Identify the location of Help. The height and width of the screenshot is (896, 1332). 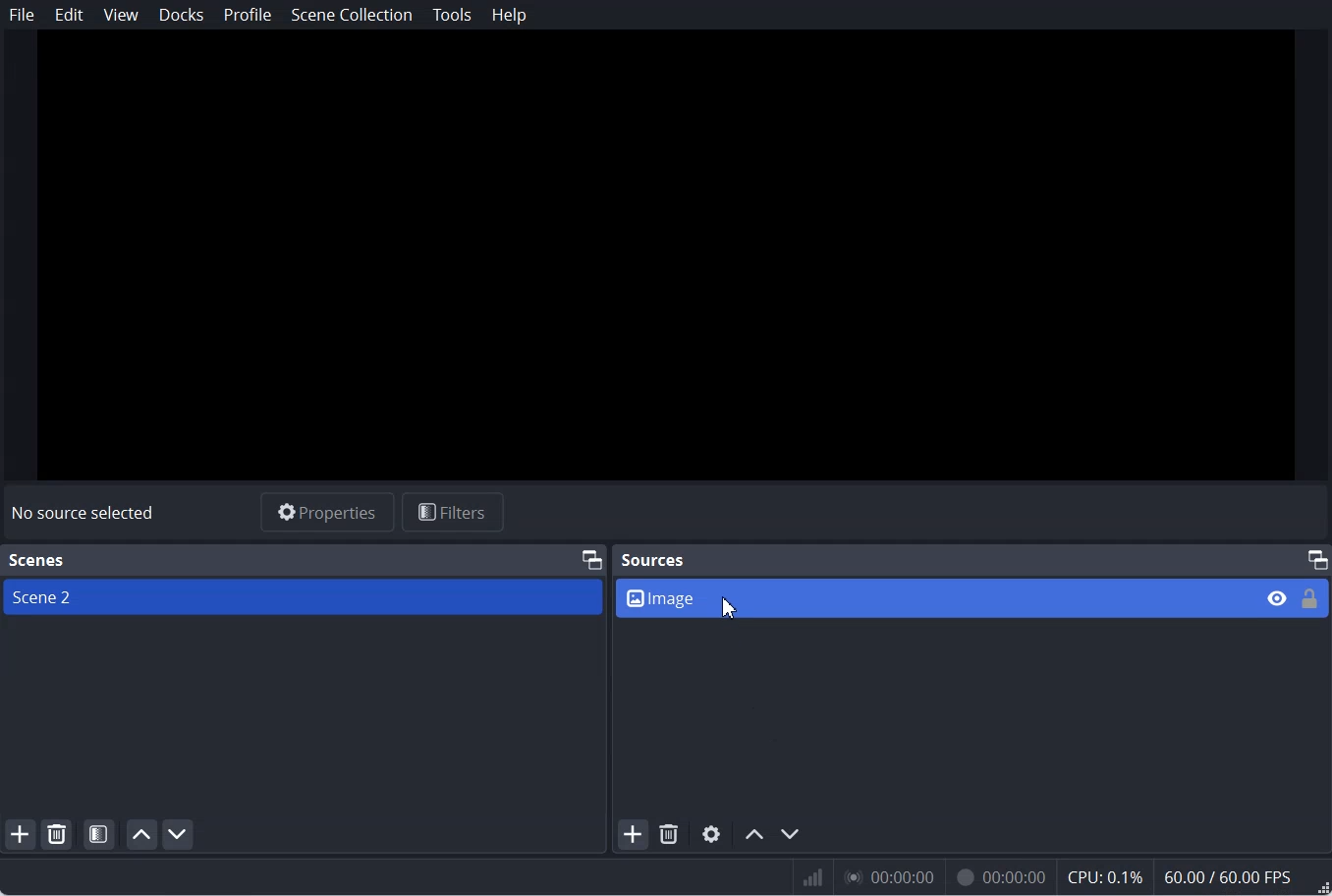
(510, 16).